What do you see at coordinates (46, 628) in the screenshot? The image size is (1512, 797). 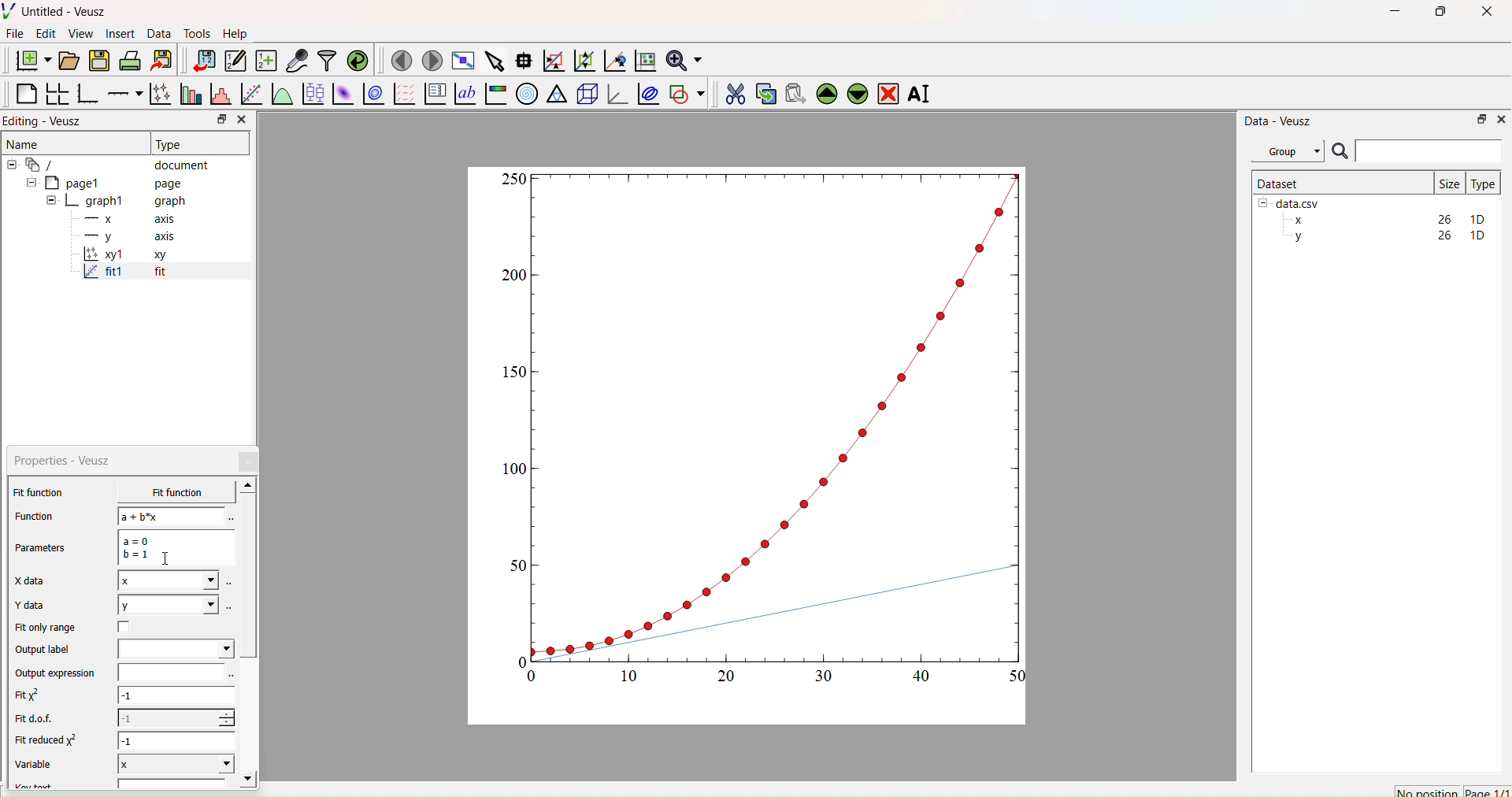 I see `Fit only range` at bounding box center [46, 628].